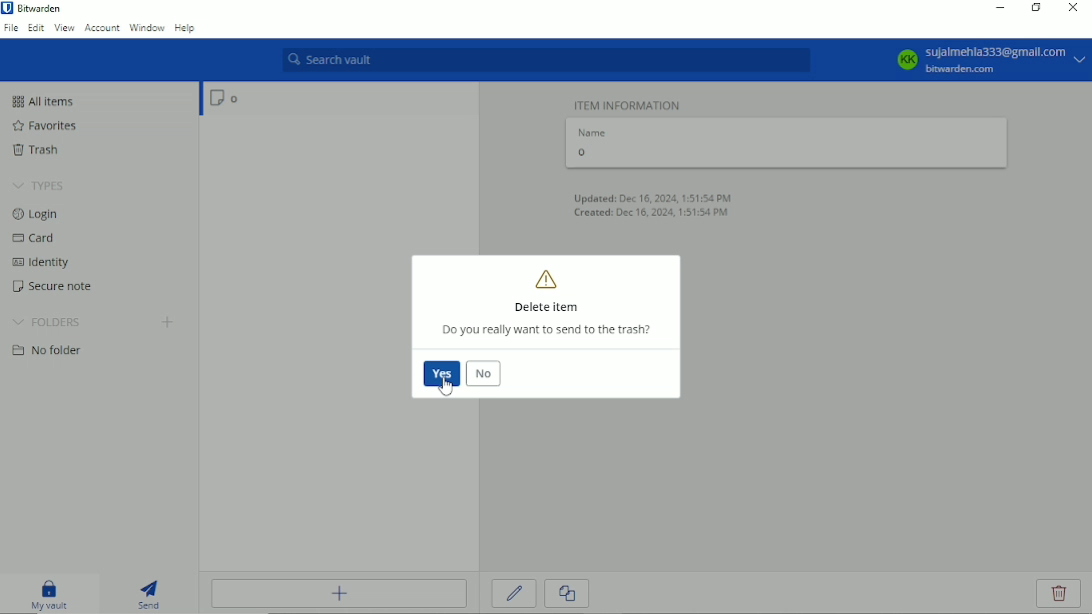 The height and width of the screenshot is (614, 1092). Describe the element at coordinates (48, 101) in the screenshot. I see `All items` at that location.